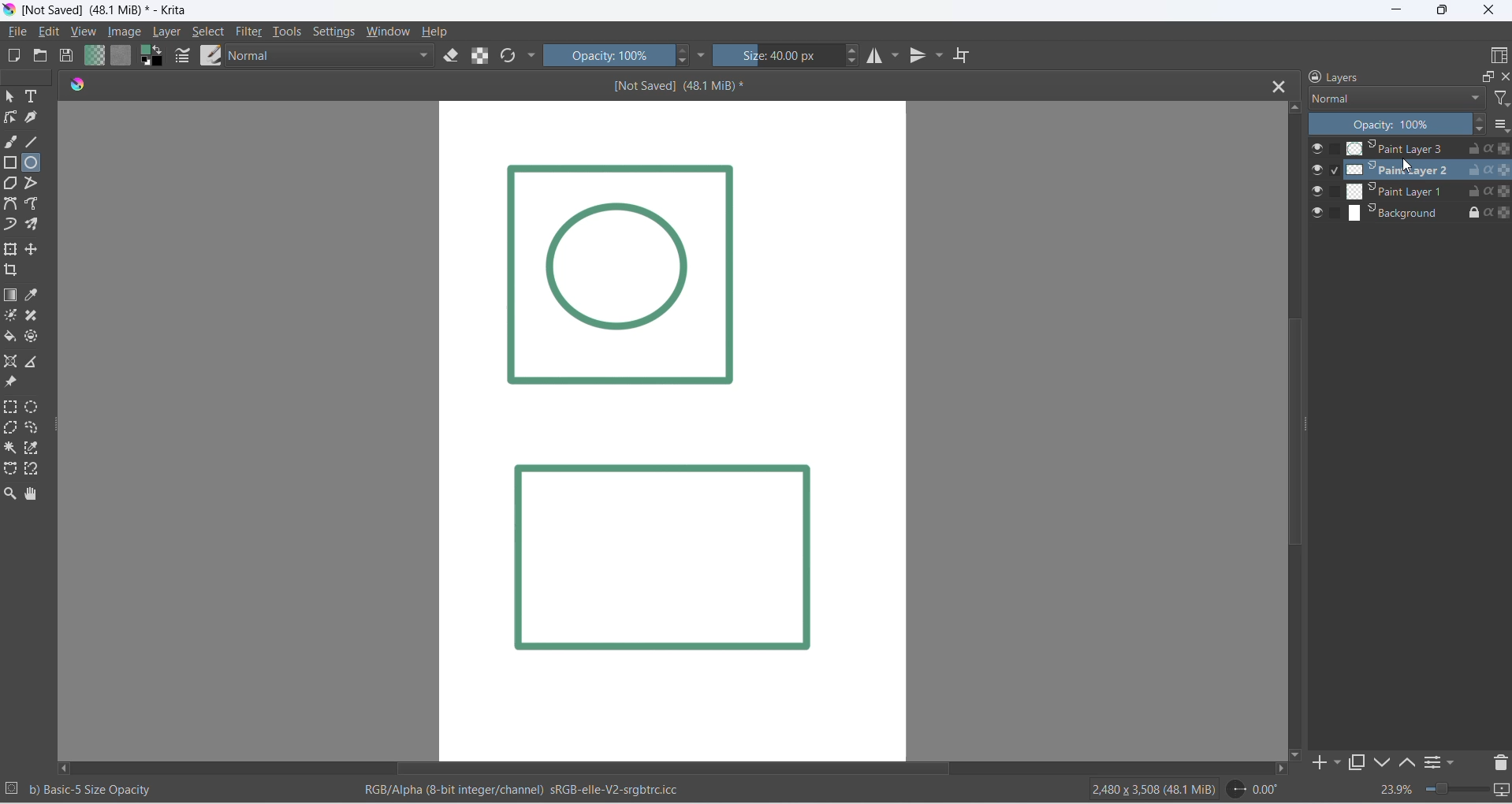 This screenshot has width=1512, height=804. Describe the element at coordinates (1276, 84) in the screenshot. I see `close tab` at that location.